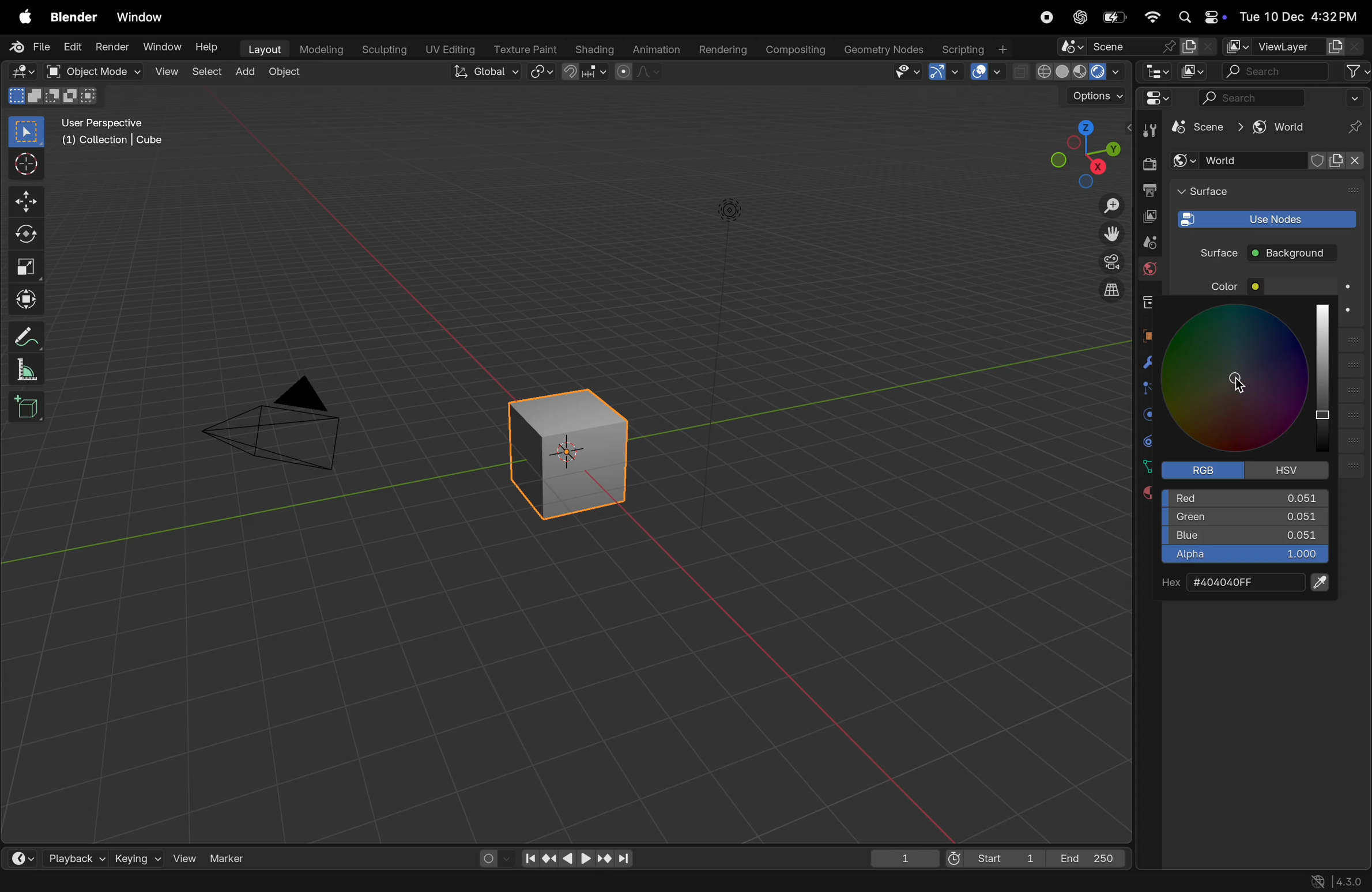 The width and height of the screenshot is (1372, 892). What do you see at coordinates (1237, 383) in the screenshot?
I see `` at bounding box center [1237, 383].